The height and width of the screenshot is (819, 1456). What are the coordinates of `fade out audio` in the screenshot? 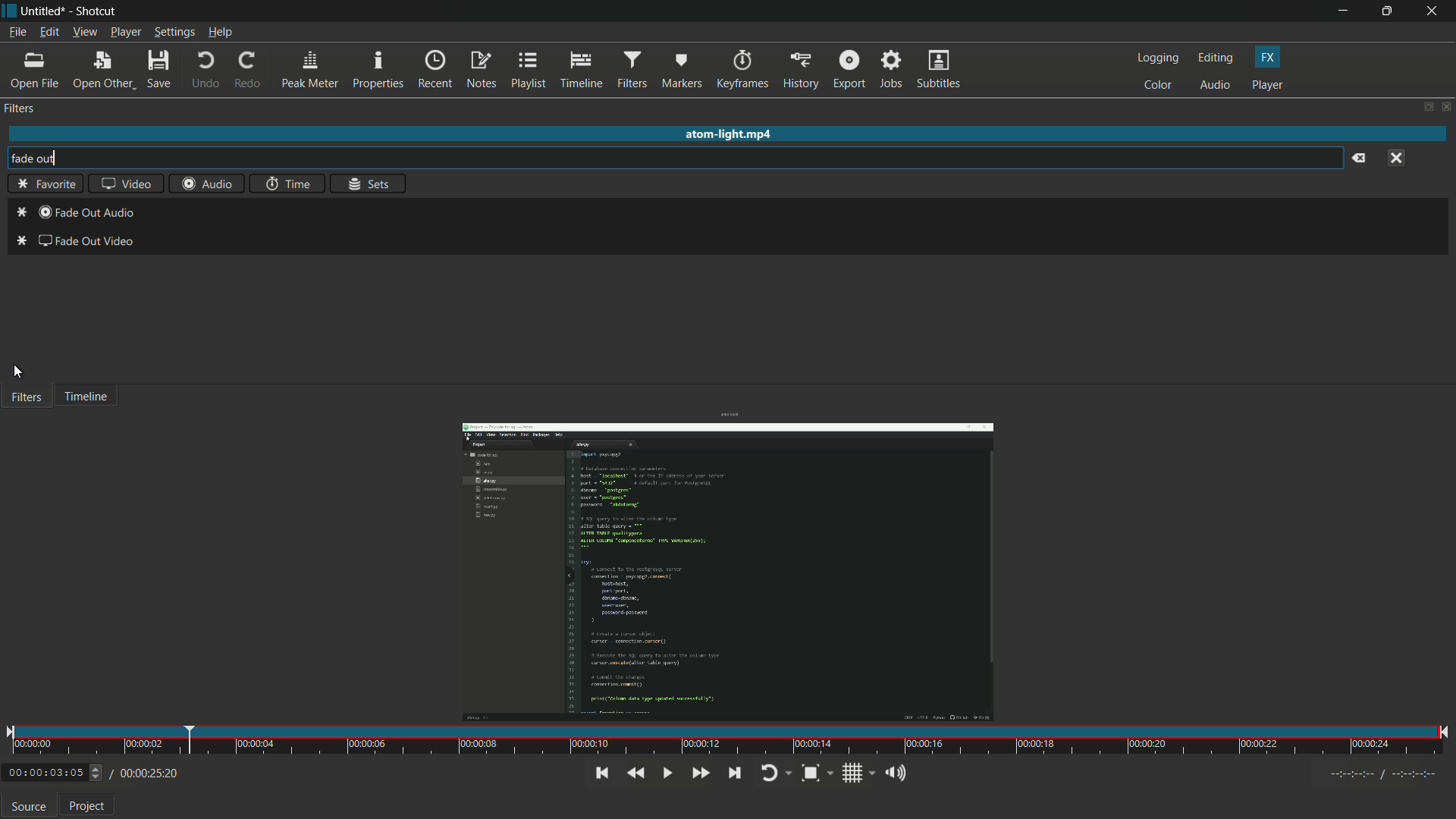 It's located at (77, 214).